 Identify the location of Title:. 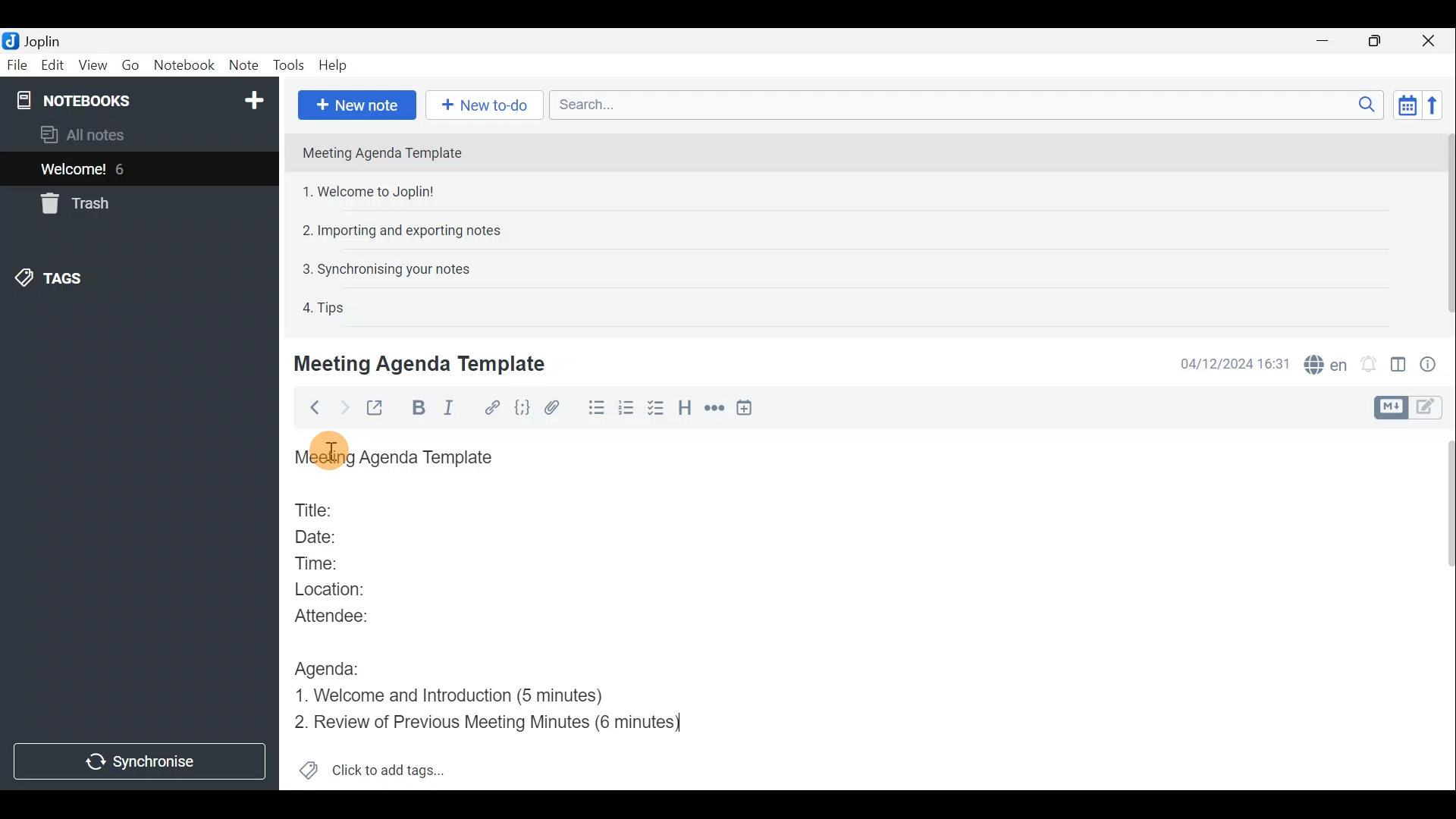
(316, 507).